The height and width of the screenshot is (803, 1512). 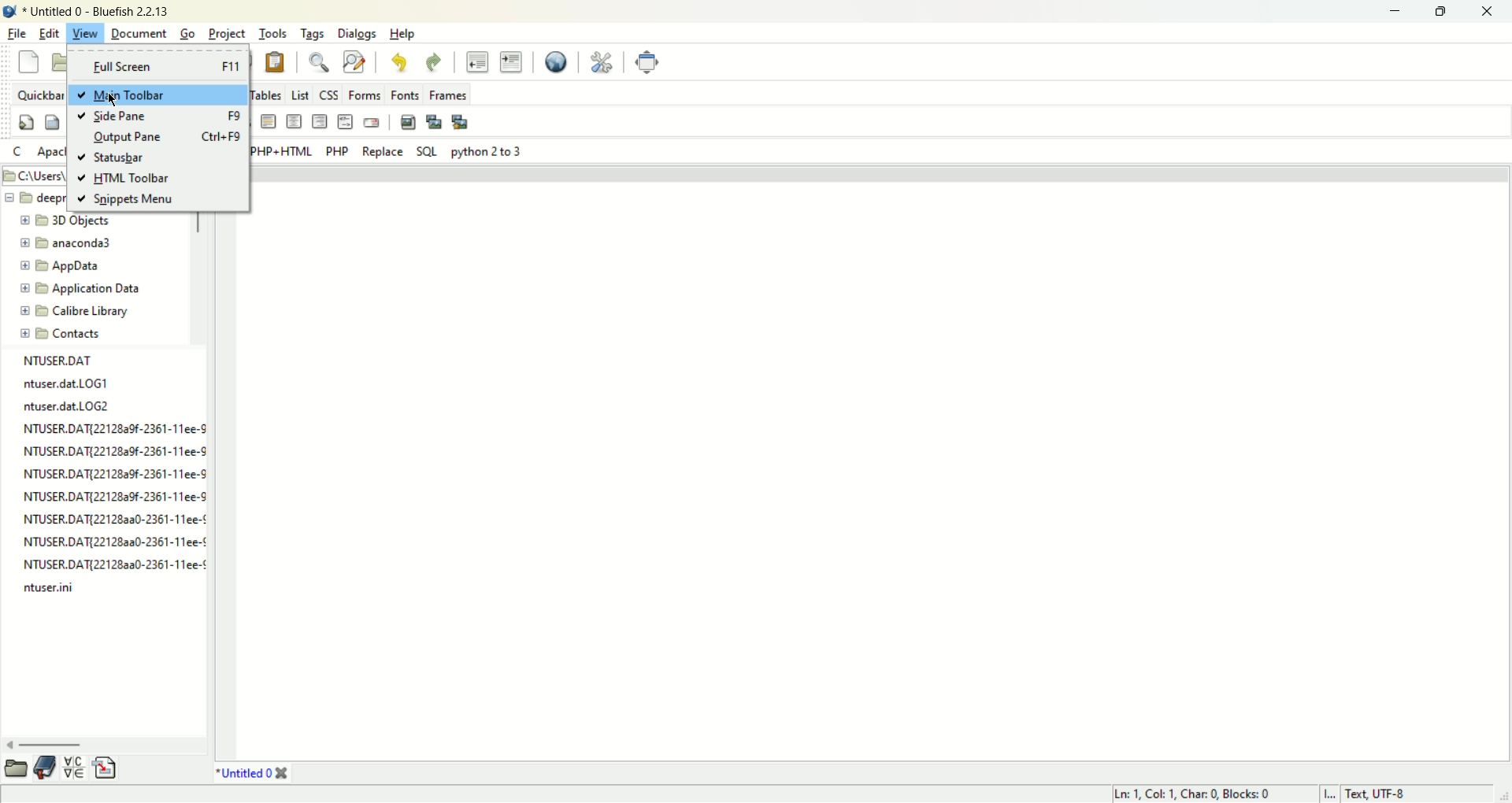 What do you see at coordinates (63, 267) in the screenshot?
I see `app` at bounding box center [63, 267].